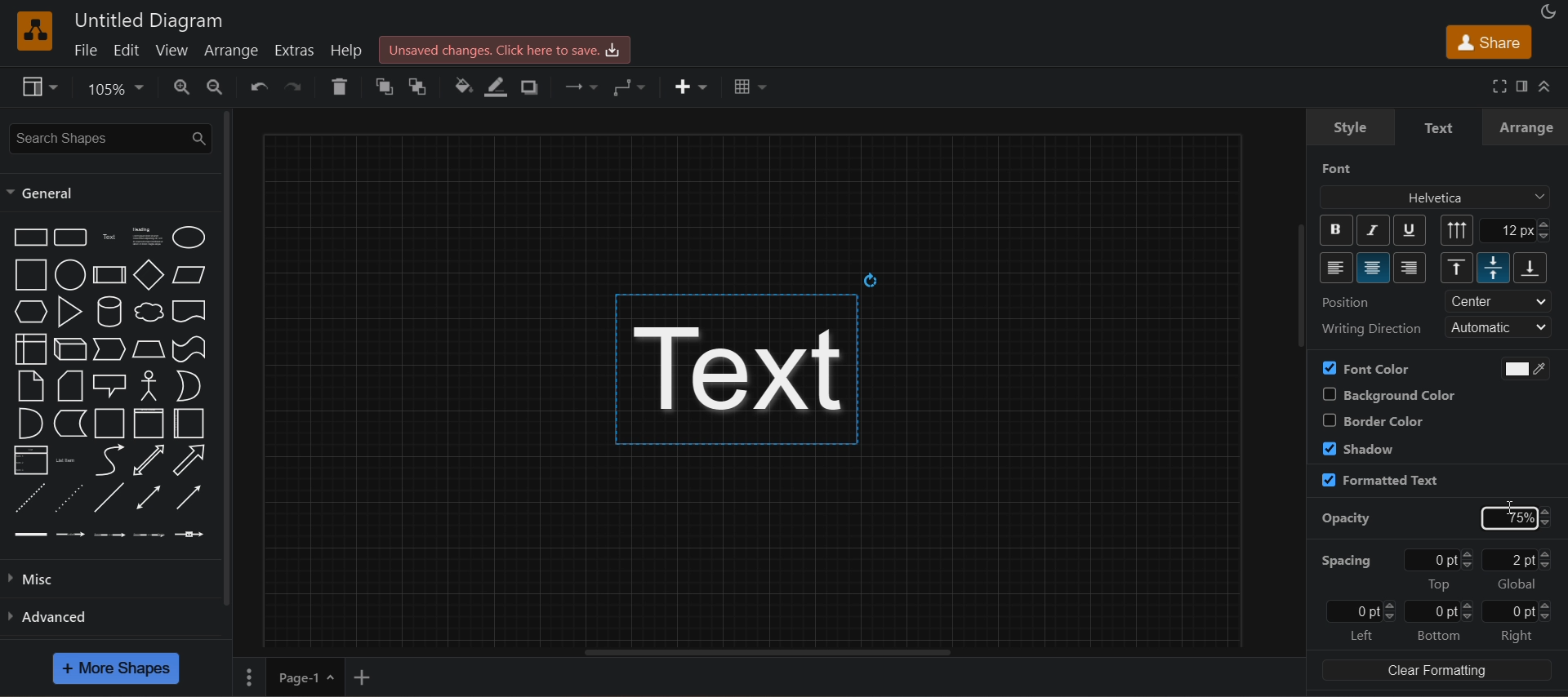  What do you see at coordinates (71, 385) in the screenshot?
I see `card` at bounding box center [71, 385].